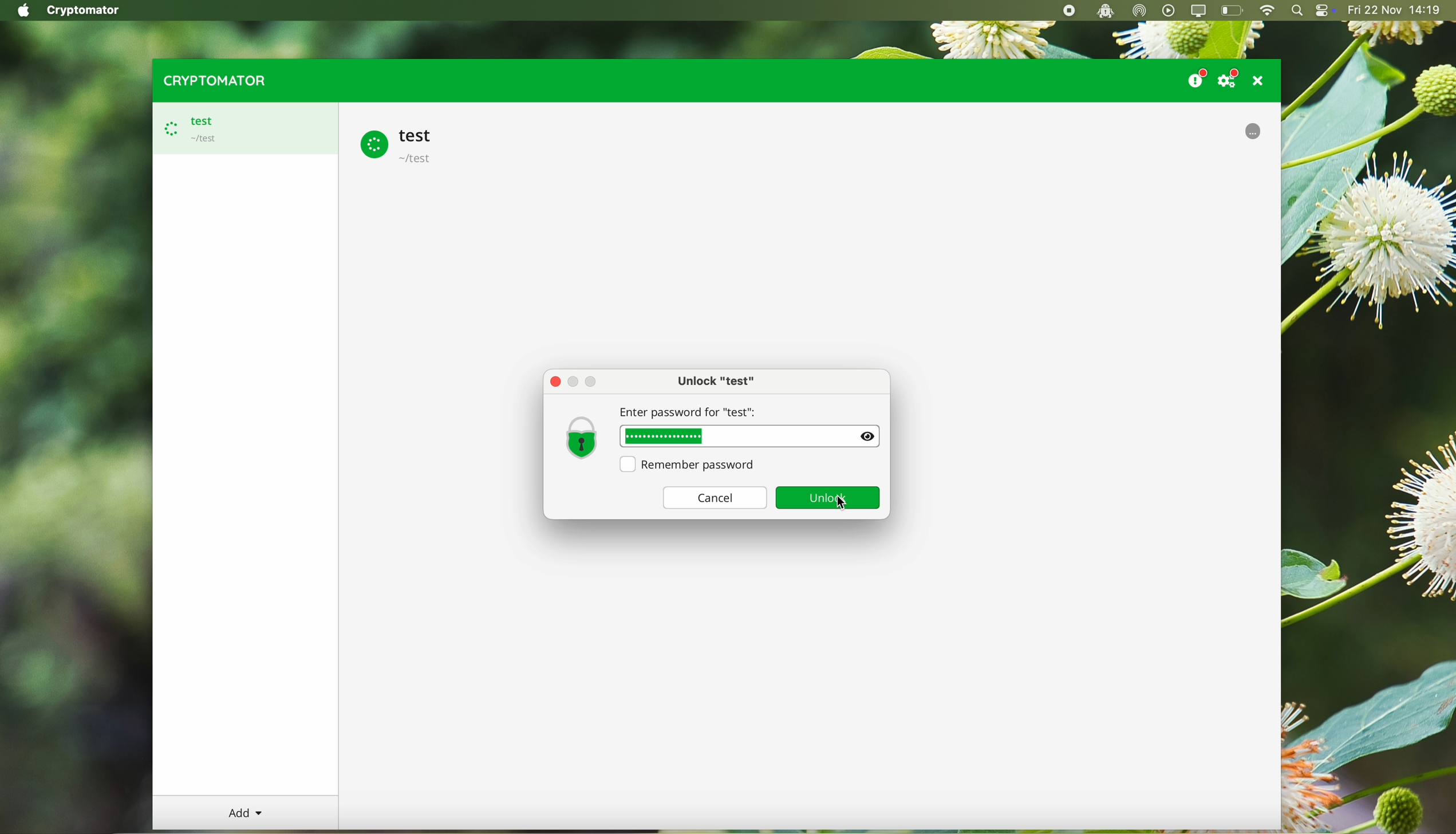 This screenshot has width=1456, height=834. What do you see at coordinates (843, 503) in the screenshot?
I see `click on unlock button` at bounding box center [843, 503].